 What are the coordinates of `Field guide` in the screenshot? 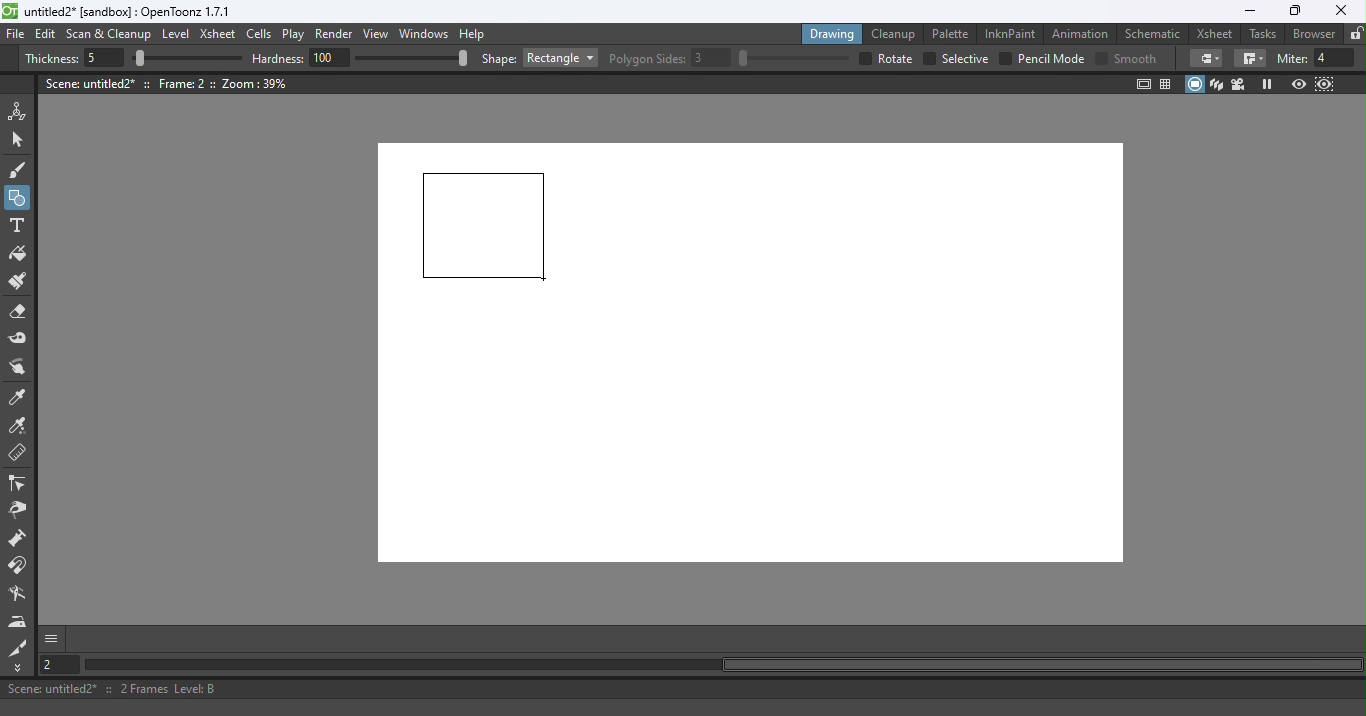 It's located at (1169, 83).